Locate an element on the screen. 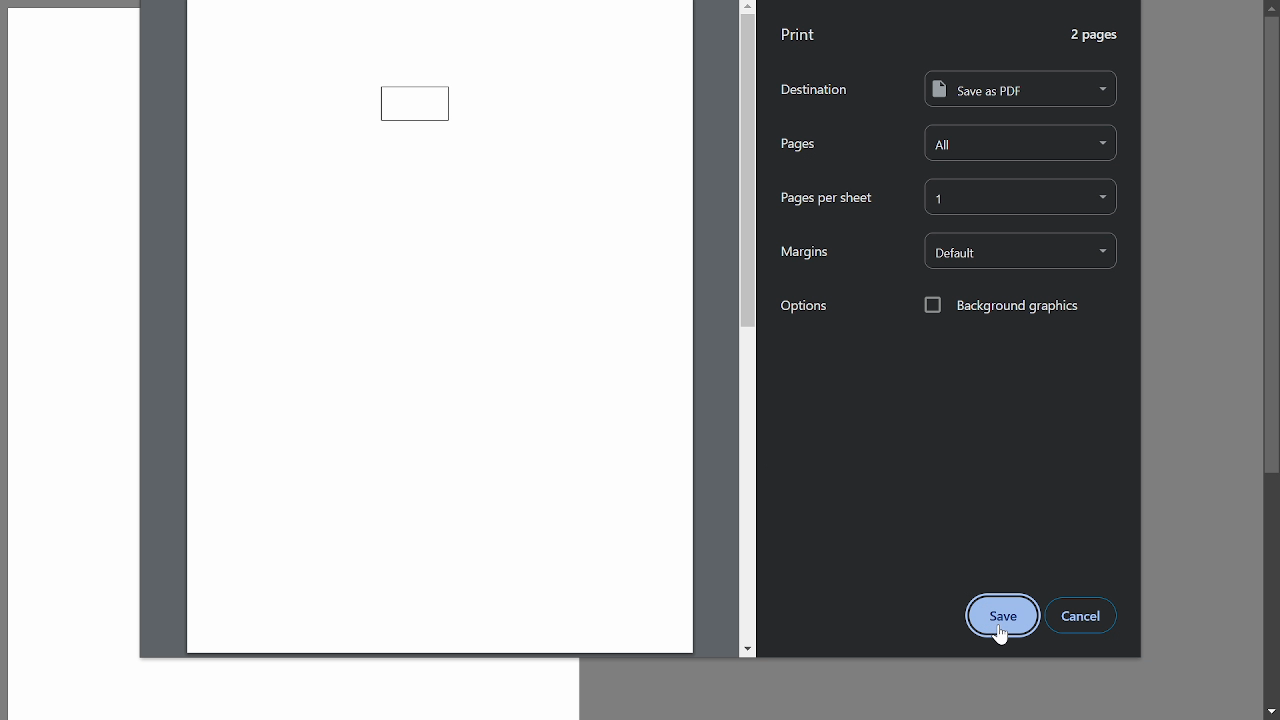 The width and height of the screenshot is (1280, 720). current diagram is located at coordinates (419, 104).